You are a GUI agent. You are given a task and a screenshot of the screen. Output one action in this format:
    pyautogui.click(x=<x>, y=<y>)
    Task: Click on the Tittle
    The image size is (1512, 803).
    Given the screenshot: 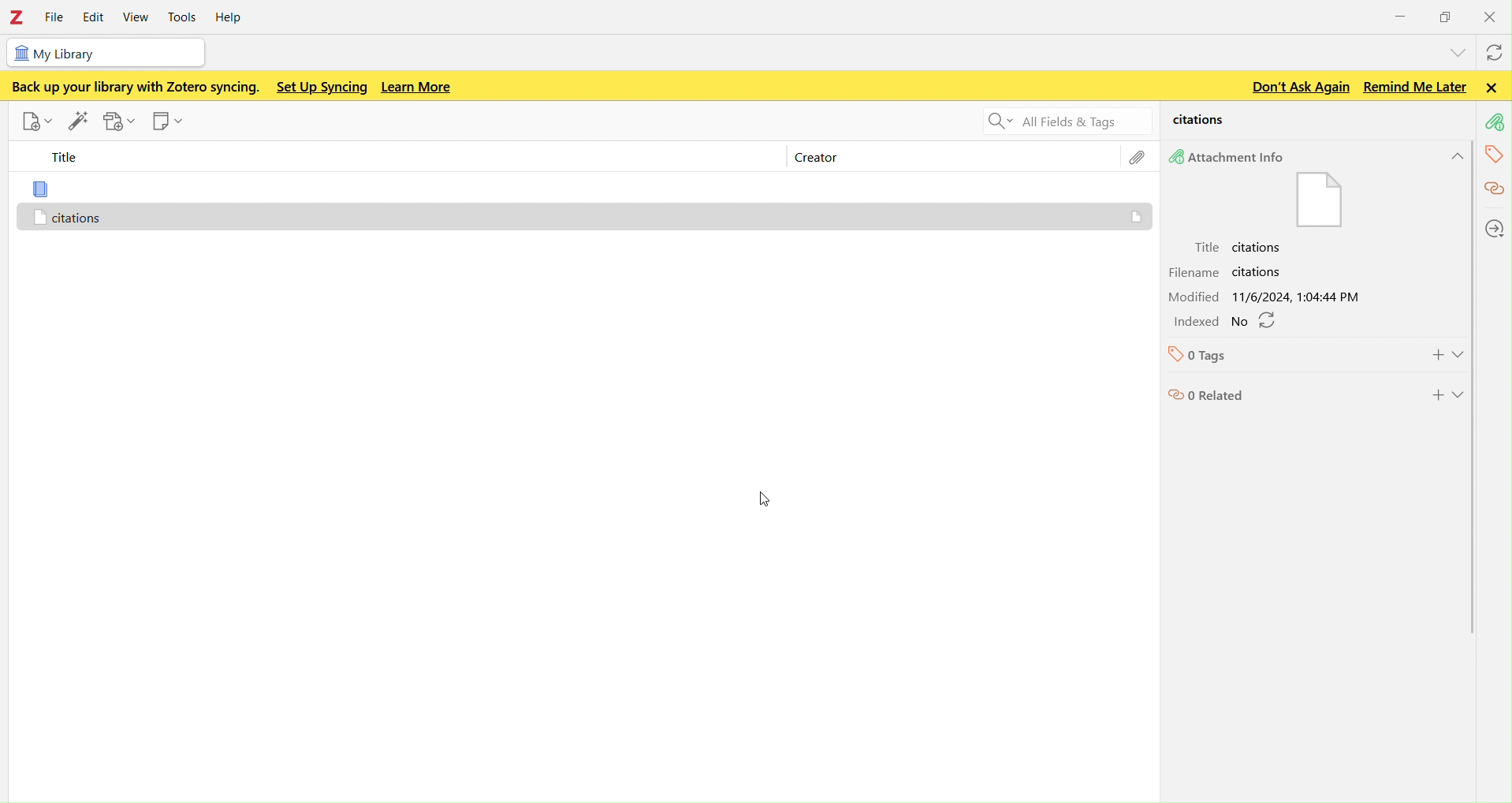 What is the action you would take?
    pyautogui.click(x=1237, y=248)
    